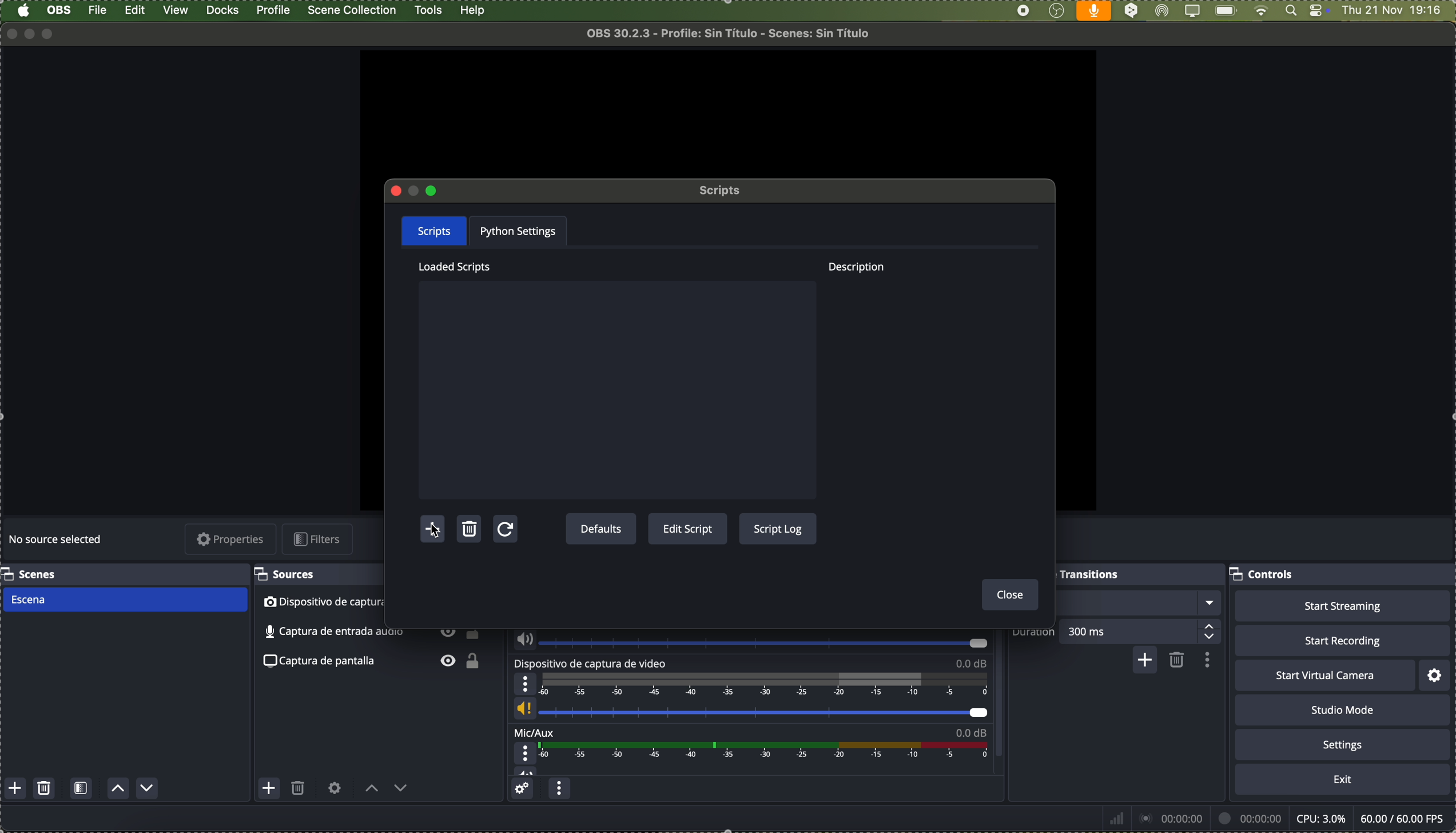  I want to click on edit, so click(135, 11).